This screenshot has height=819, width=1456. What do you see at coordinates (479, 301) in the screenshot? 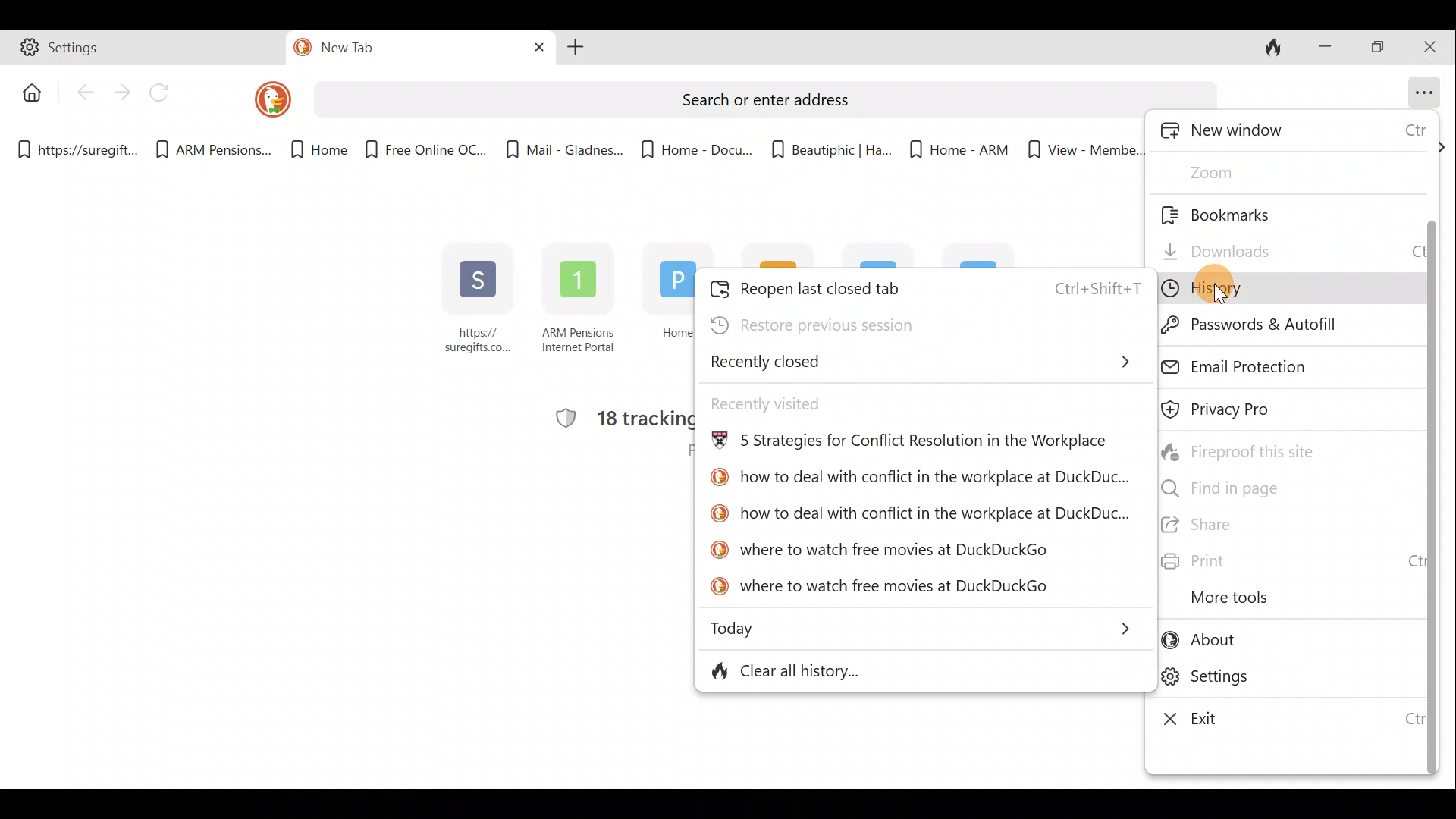
I see `https://
suregifts co...` at bounding box center [479, 301].